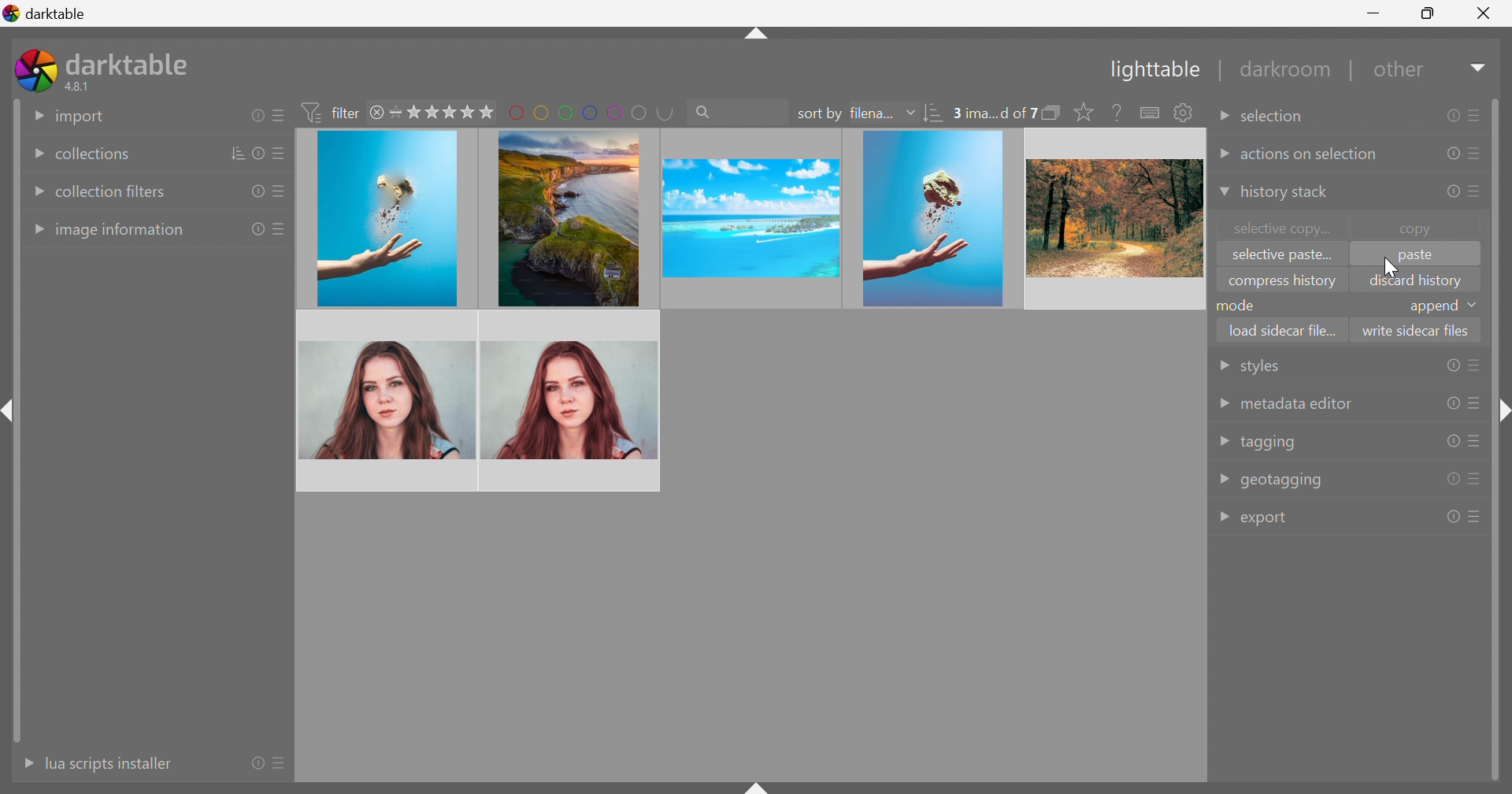  Describe the element at coordinates (112, 191) in the screenshot. I see `collection filters` at that location.